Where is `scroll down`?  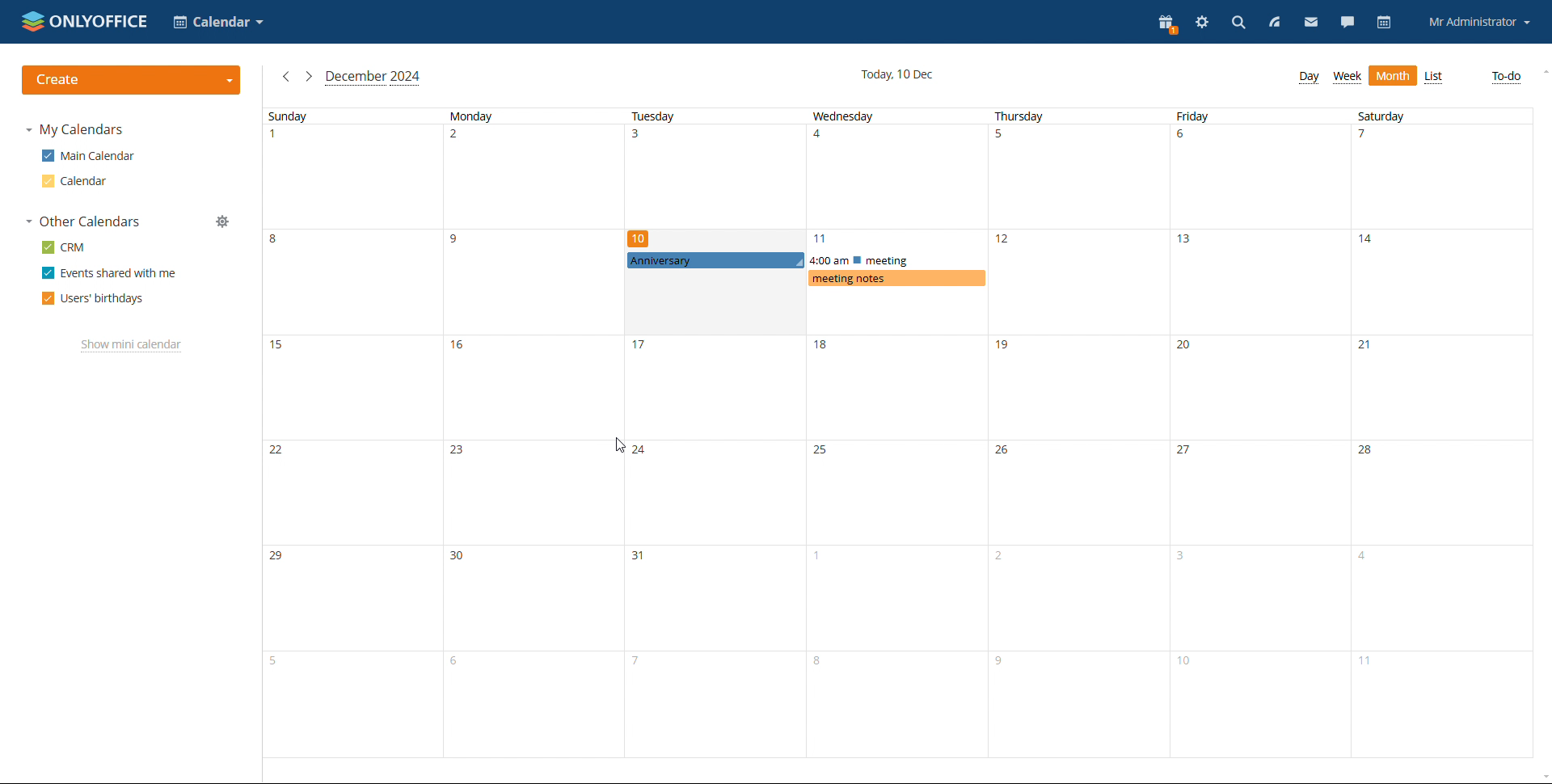 scroll down is located at coordinates (1542, 778).